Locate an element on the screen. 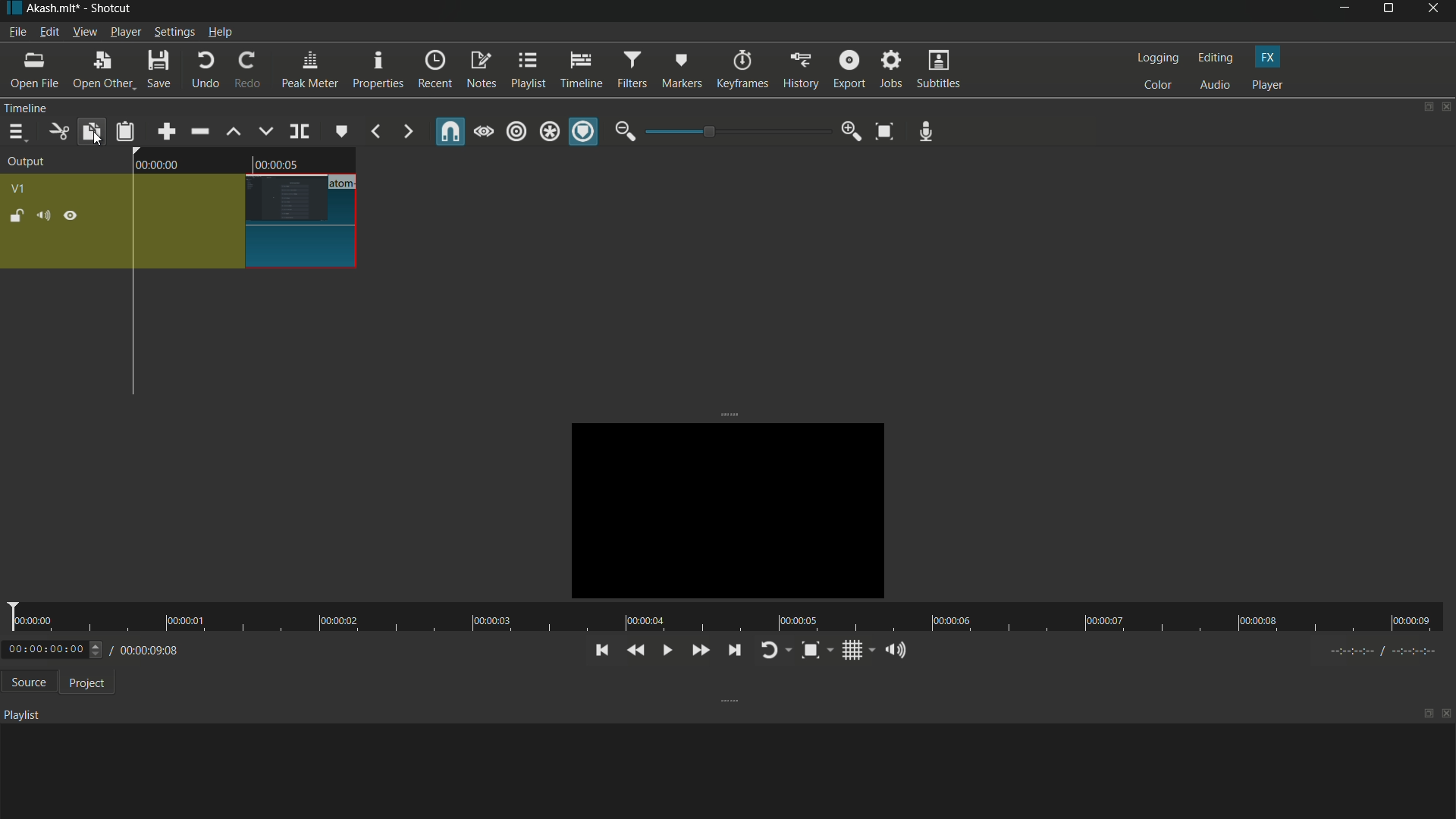  output is located at coordinates (27, 163).